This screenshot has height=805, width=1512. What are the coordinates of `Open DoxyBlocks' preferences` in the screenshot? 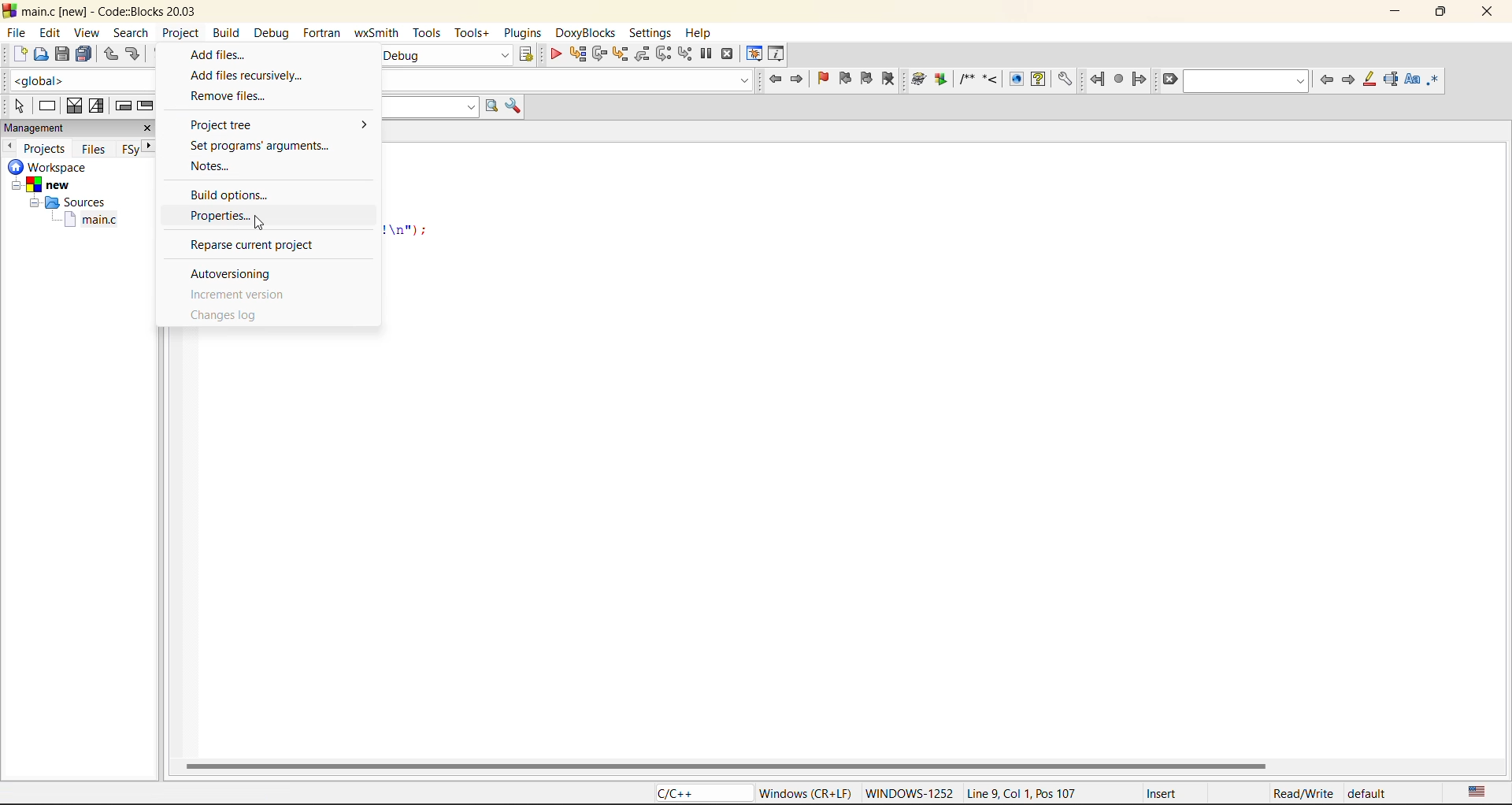 It's located at (1063, 80).